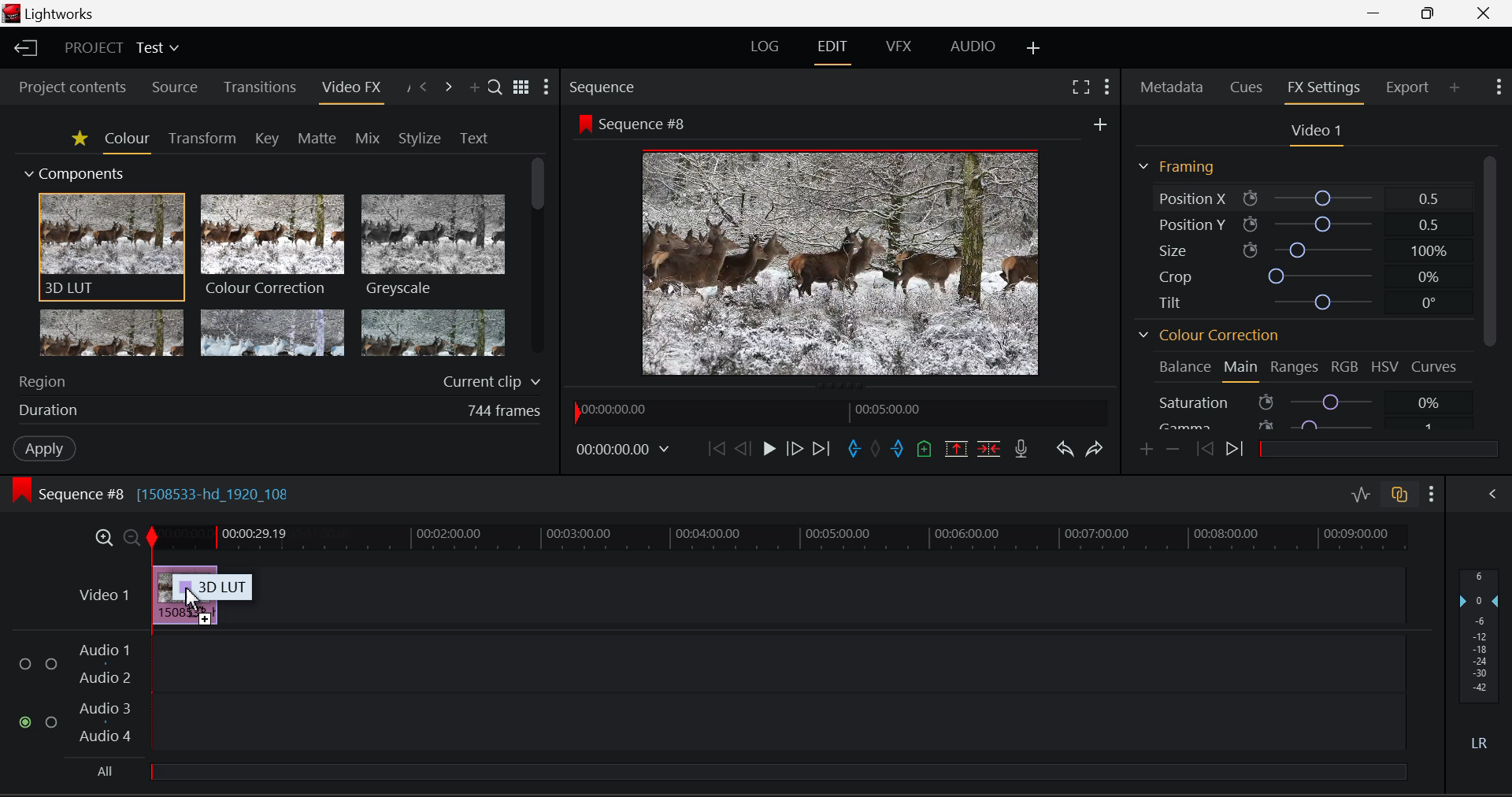 This screenshot has width=1512, height=797. Describe the element at coordinates (1175, 165) in the screenshot. I see `Framing Section` at that location.